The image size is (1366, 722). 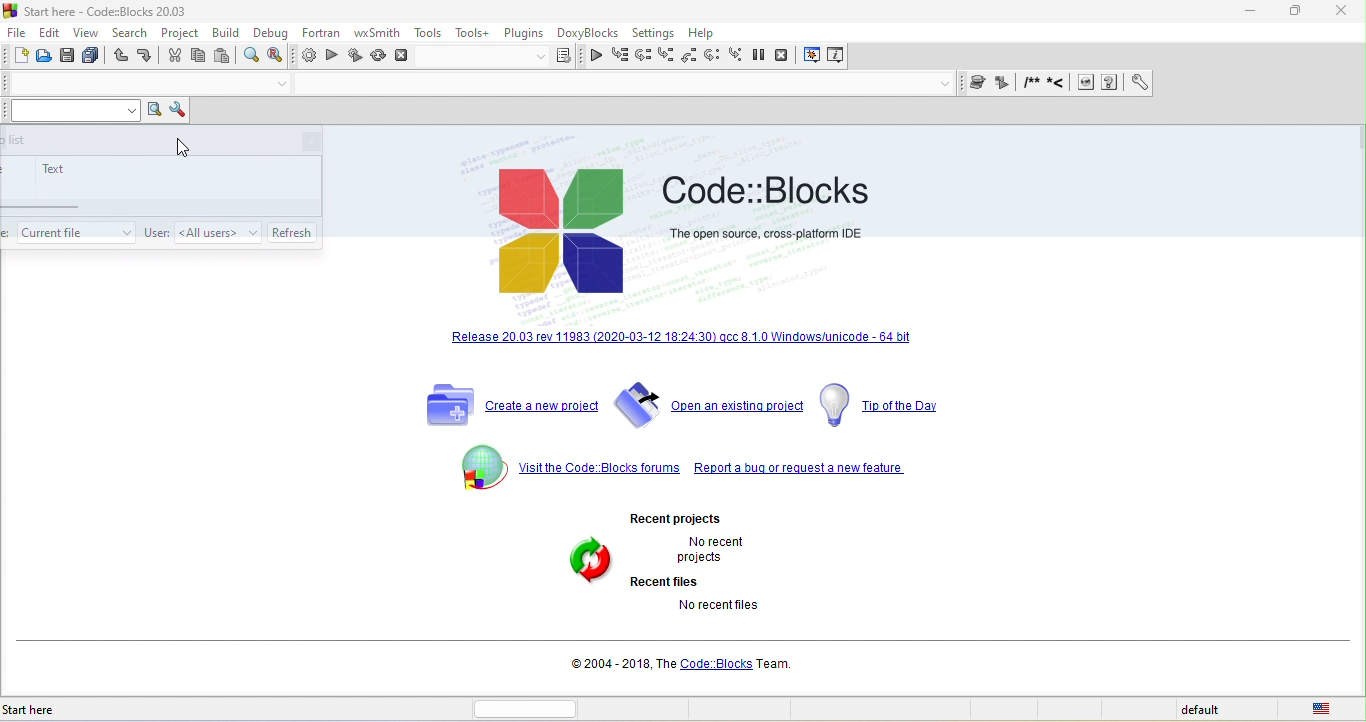 I want to click on doxy wizard, so click(x=981, y=83).